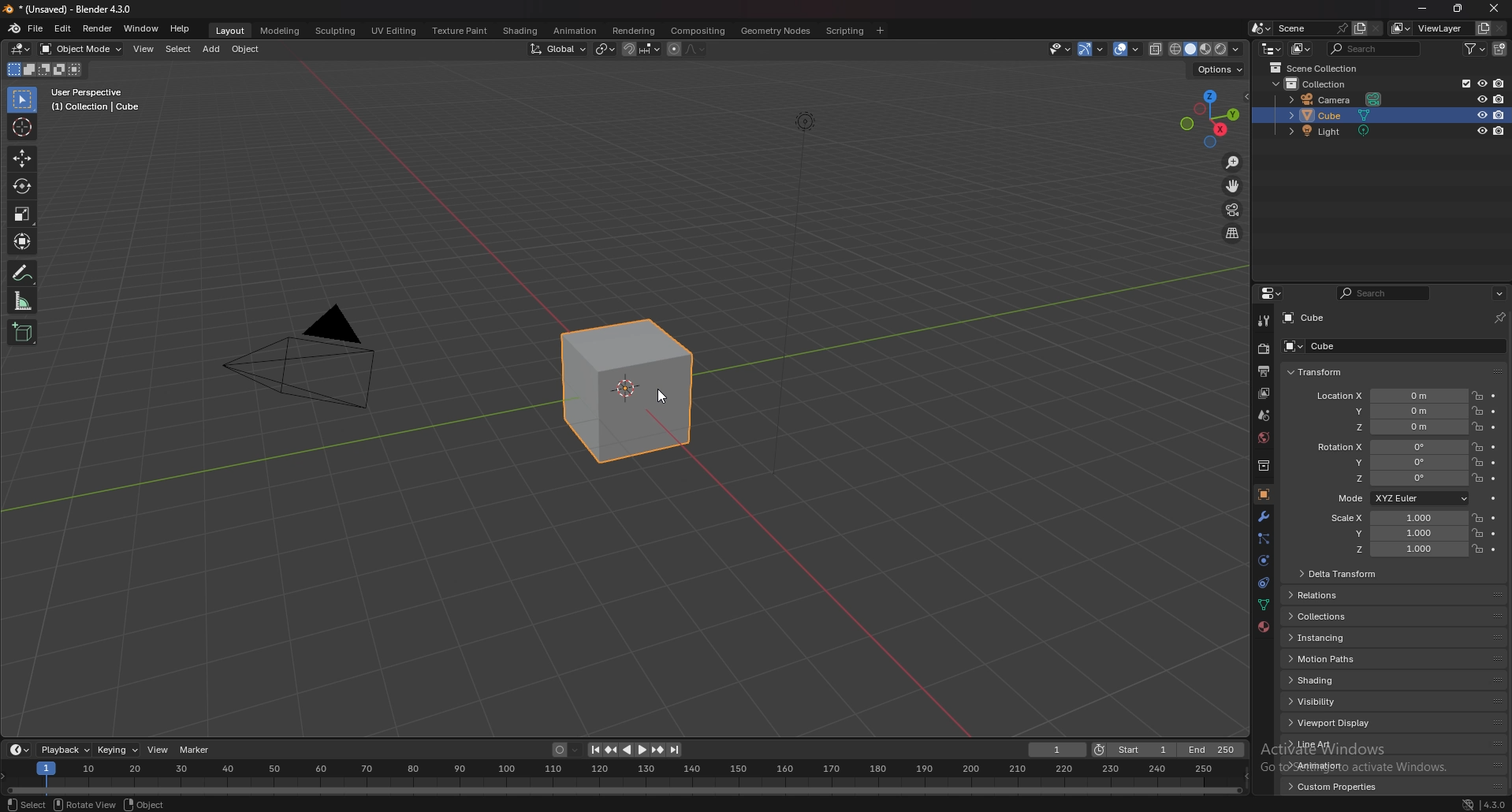  I want to click on help, so click(181, 28).